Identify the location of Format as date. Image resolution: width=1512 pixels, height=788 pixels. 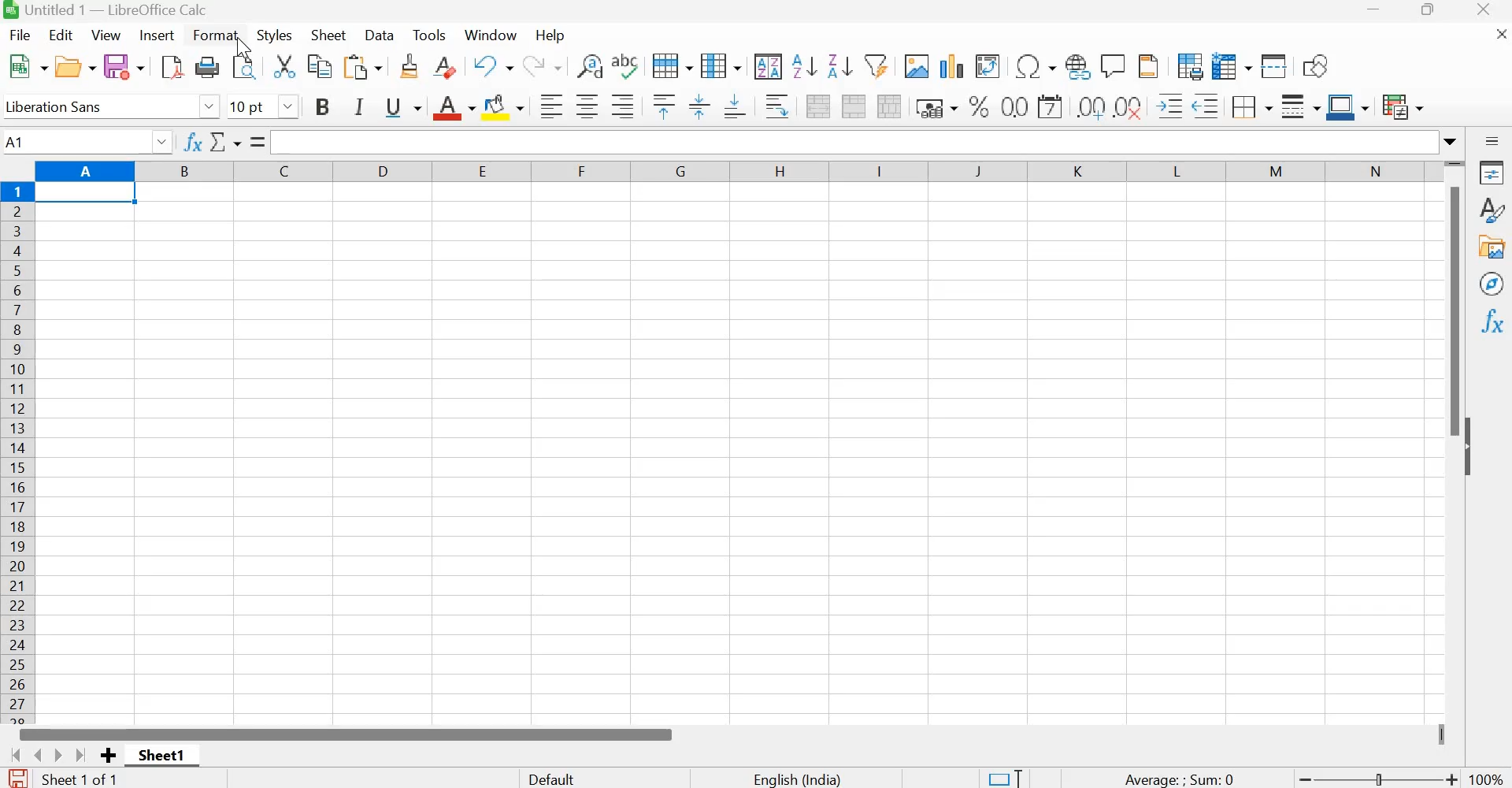
(1050, 106).